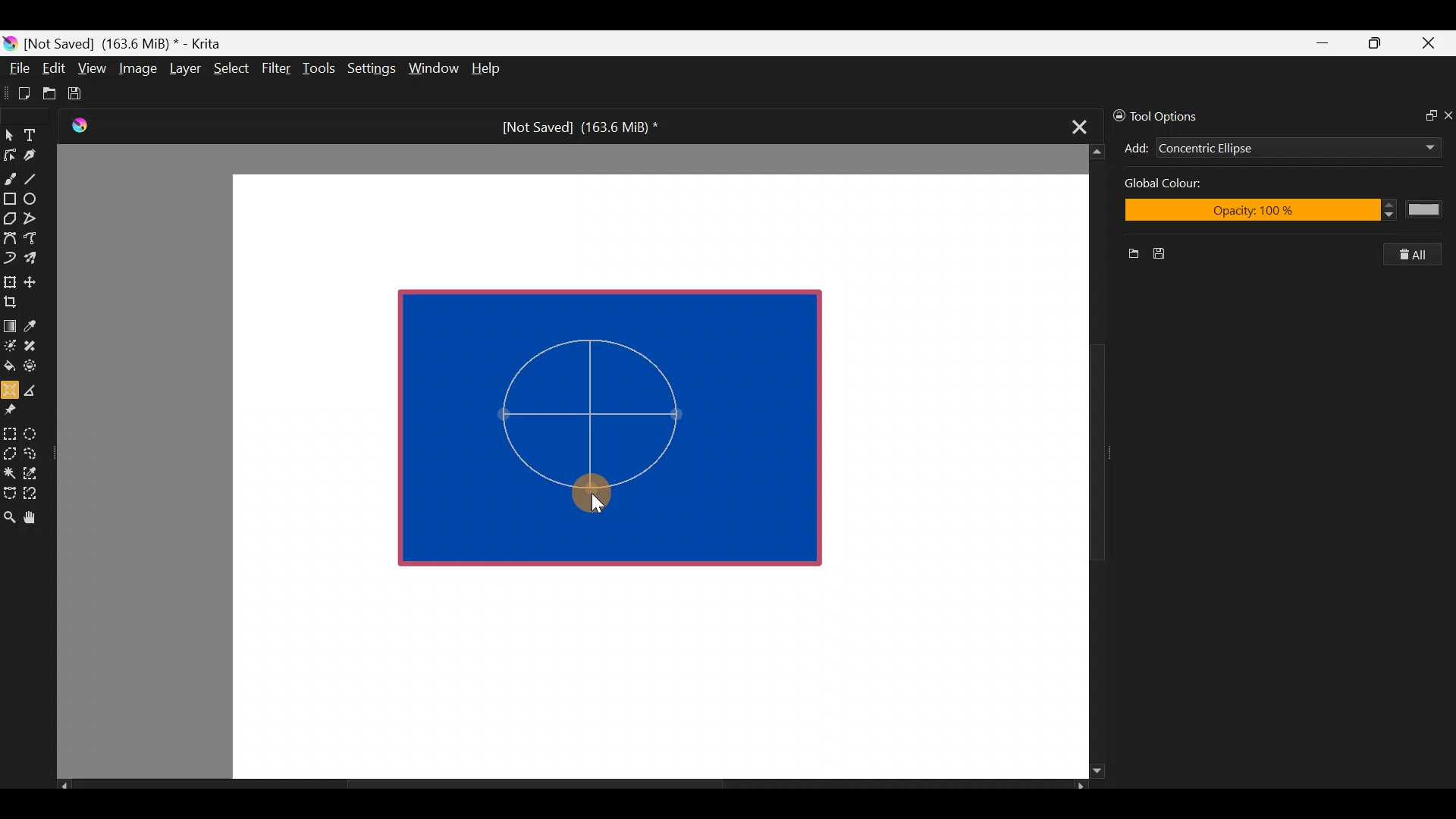 This screenshot has width=1456, height=819. I want to click on Settings, so click(373, 71).